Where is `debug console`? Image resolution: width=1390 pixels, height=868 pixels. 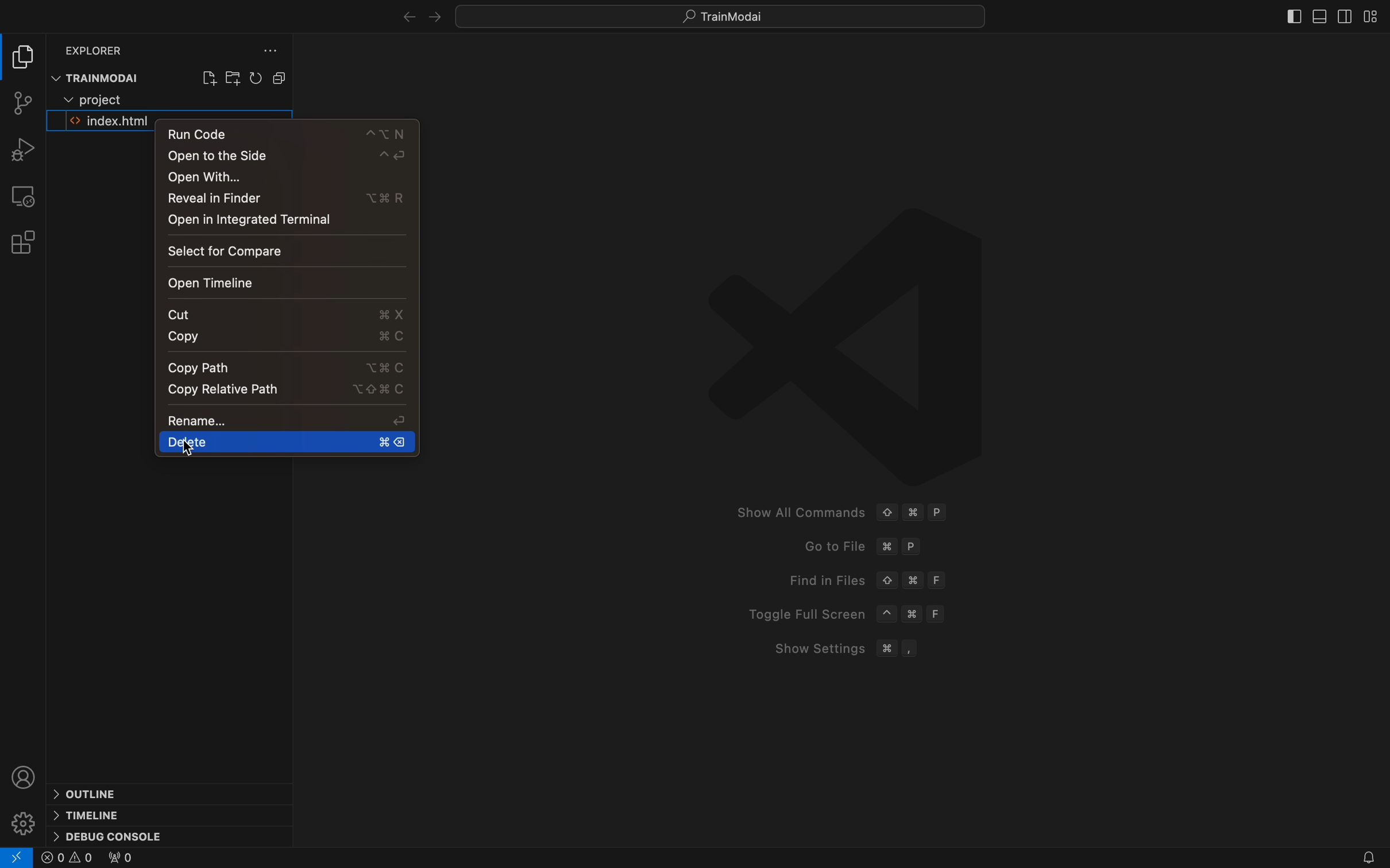
debug console is located at coordinates (123, 832).